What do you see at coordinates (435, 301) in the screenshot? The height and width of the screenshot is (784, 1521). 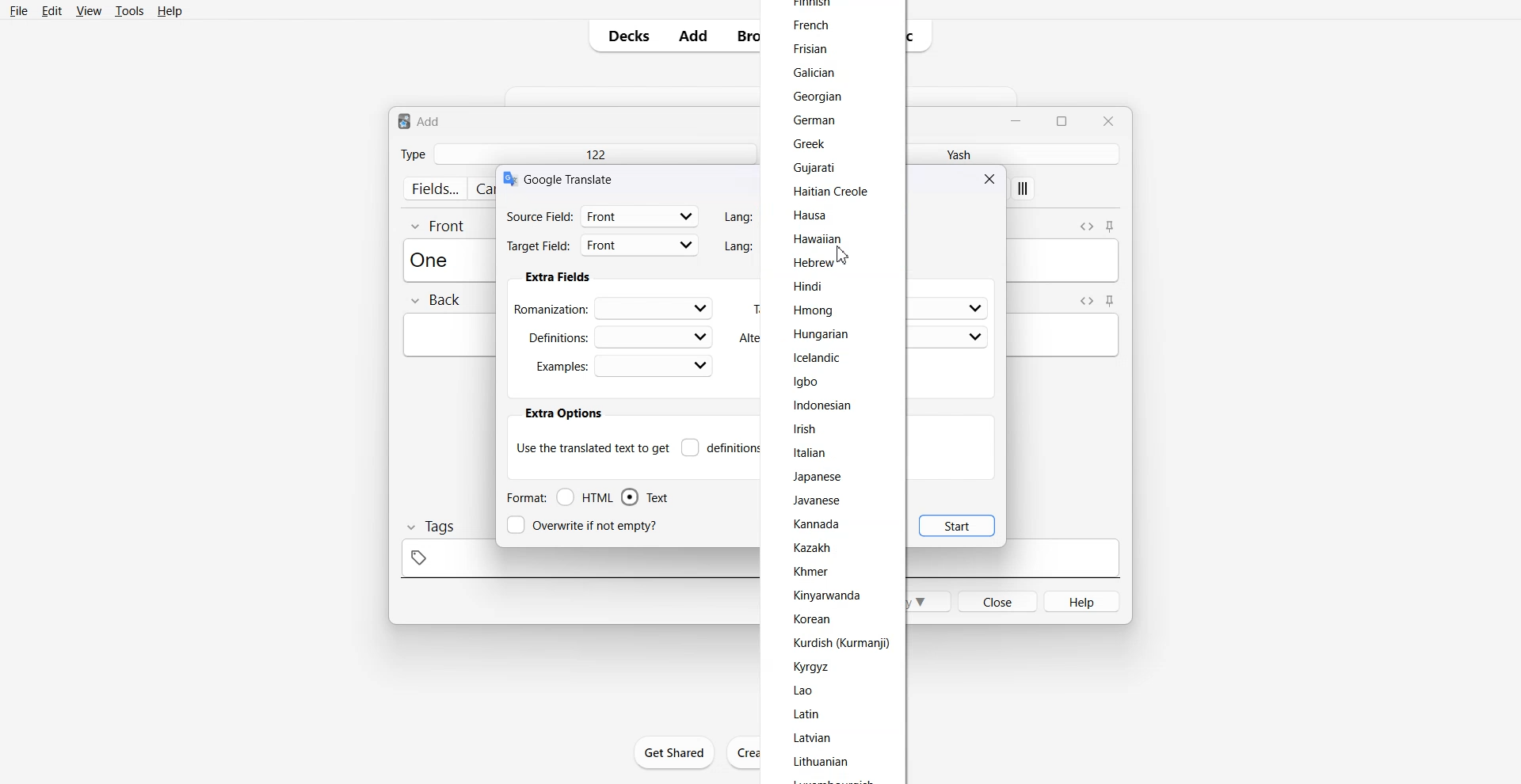 I see `Back` at bounding box center [435, 301].